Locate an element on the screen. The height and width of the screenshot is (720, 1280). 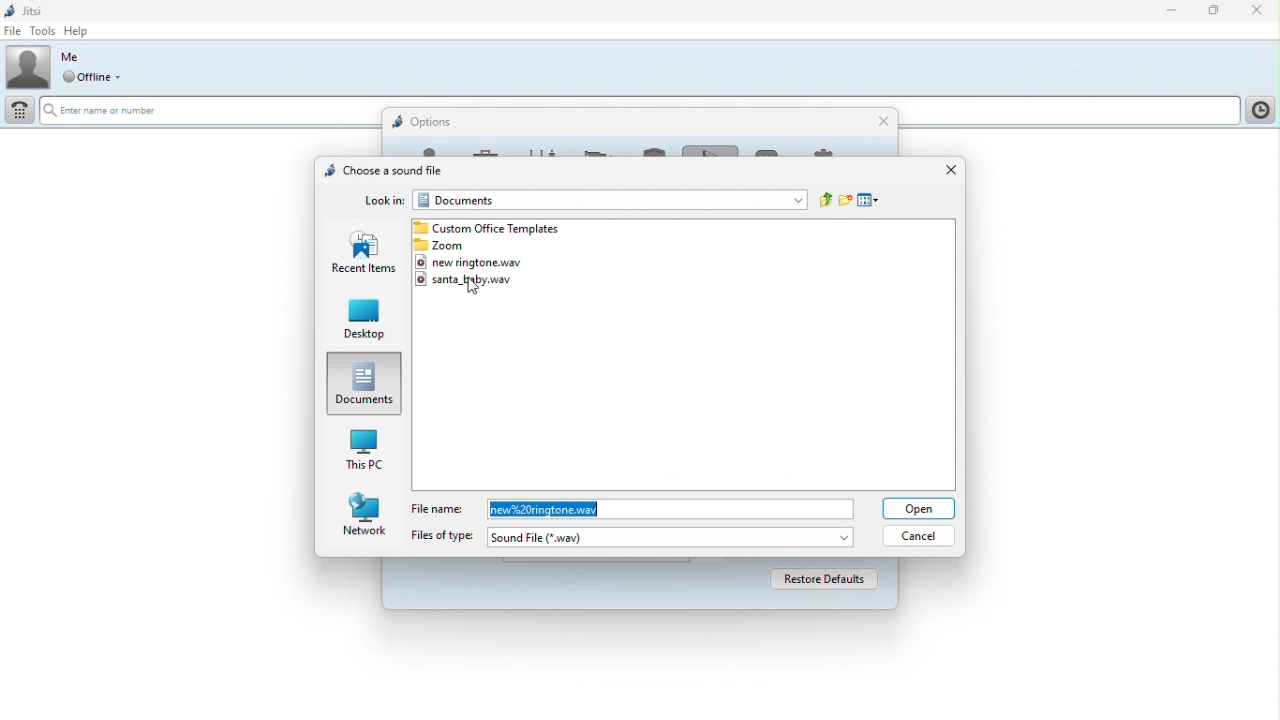
view / organize   is located at coordinates (867, 199).